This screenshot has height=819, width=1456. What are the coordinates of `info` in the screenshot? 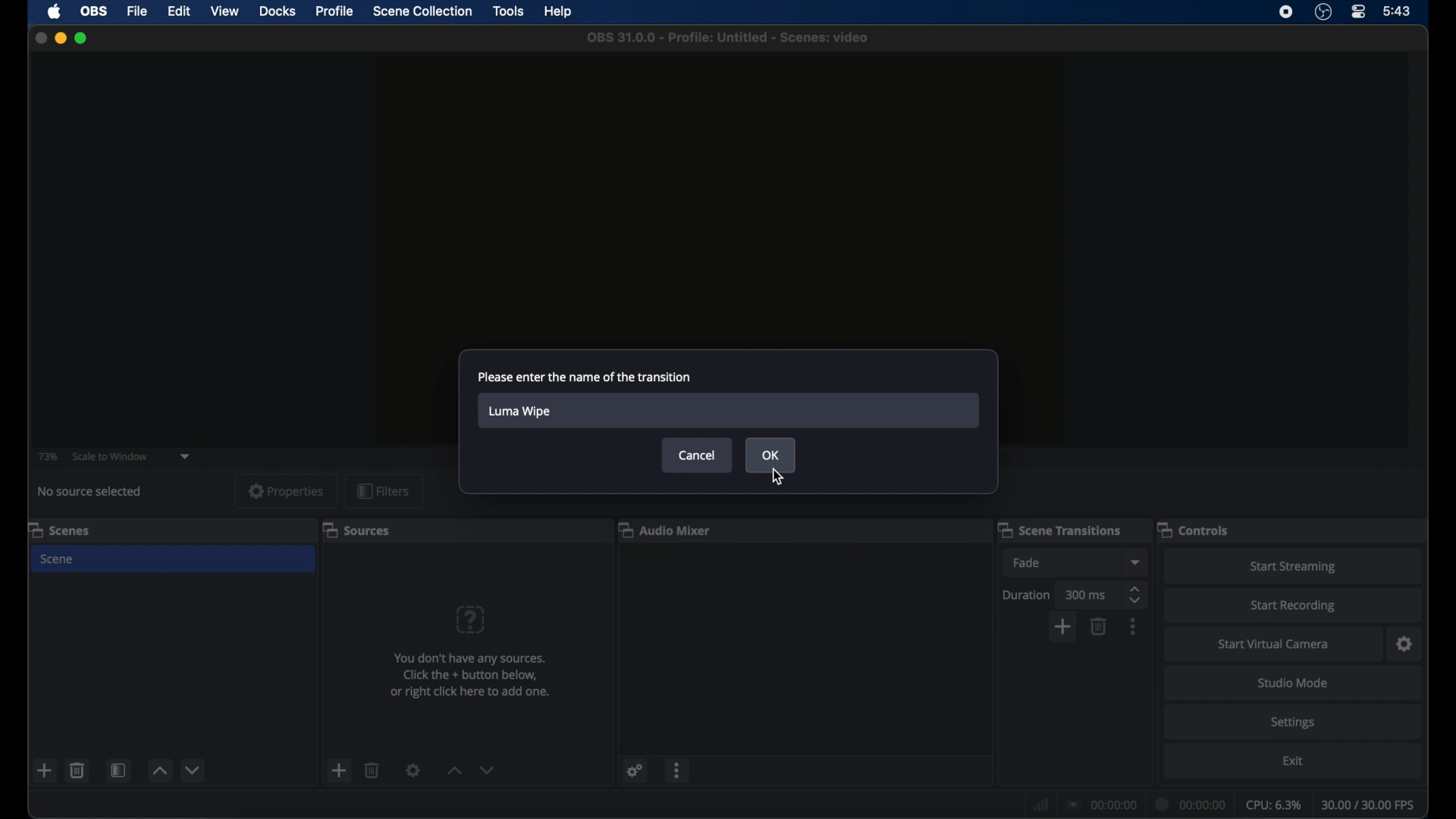 It's located at (472, 675).